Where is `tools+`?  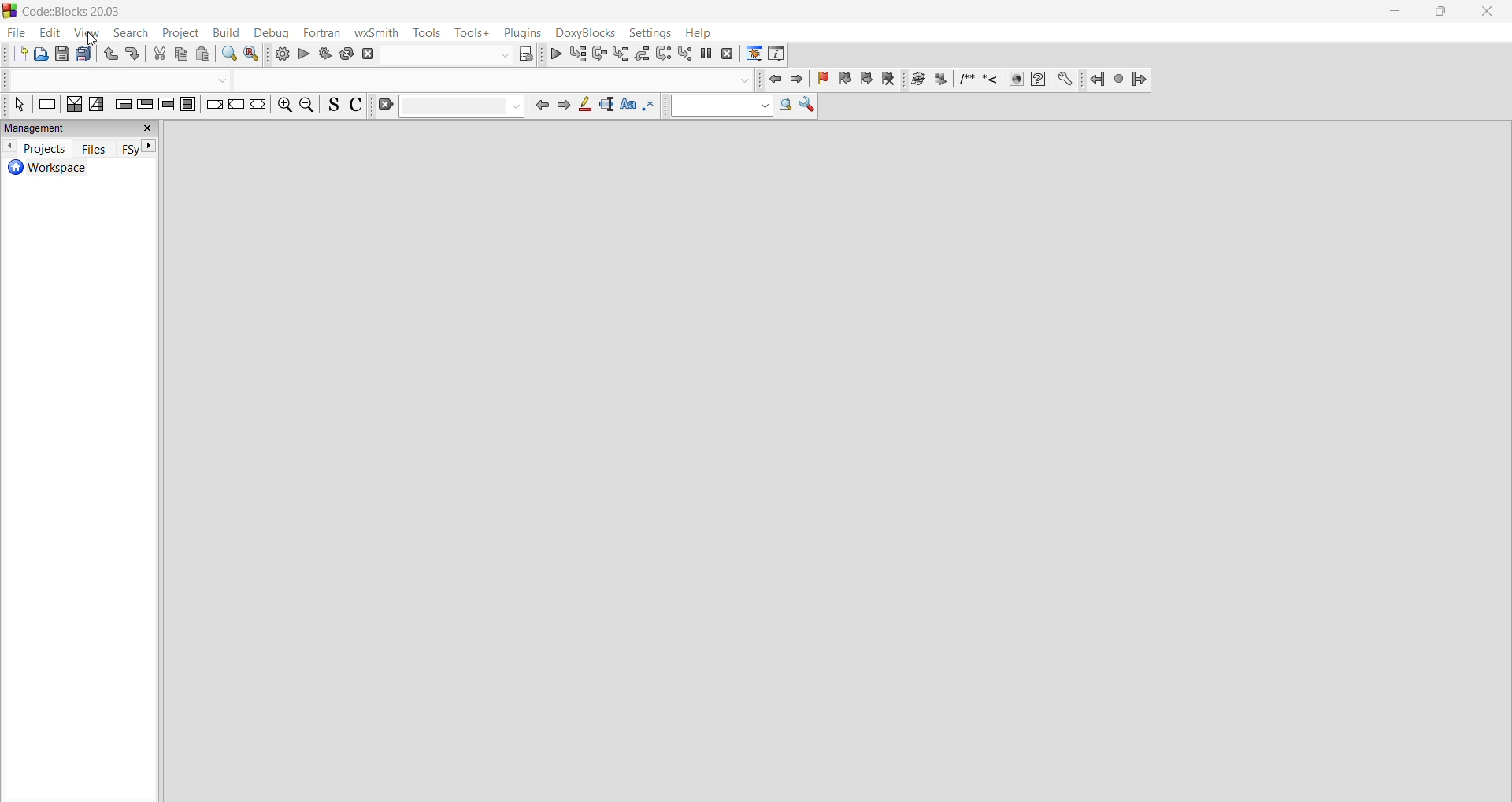
tools+ is located at coordinates (473, 33).